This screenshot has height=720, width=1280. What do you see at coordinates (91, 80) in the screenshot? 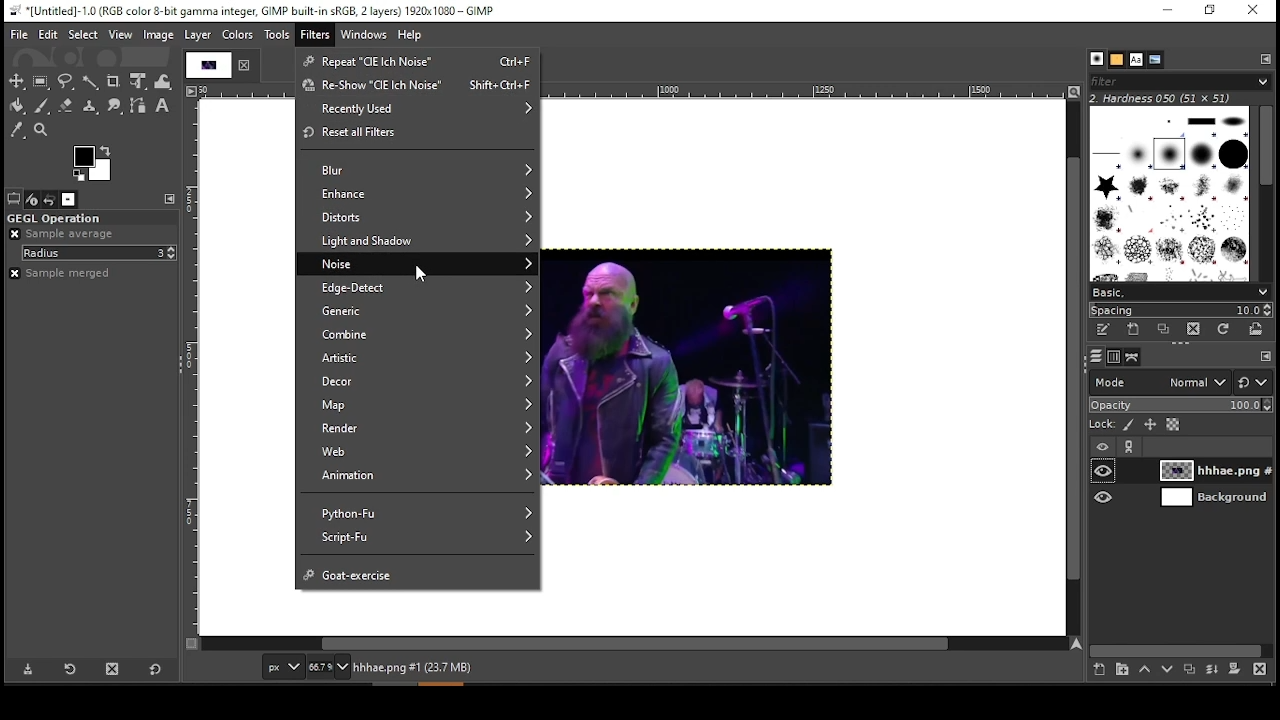
I see `fuzzy selection tool` at bounding box center [91, 80].